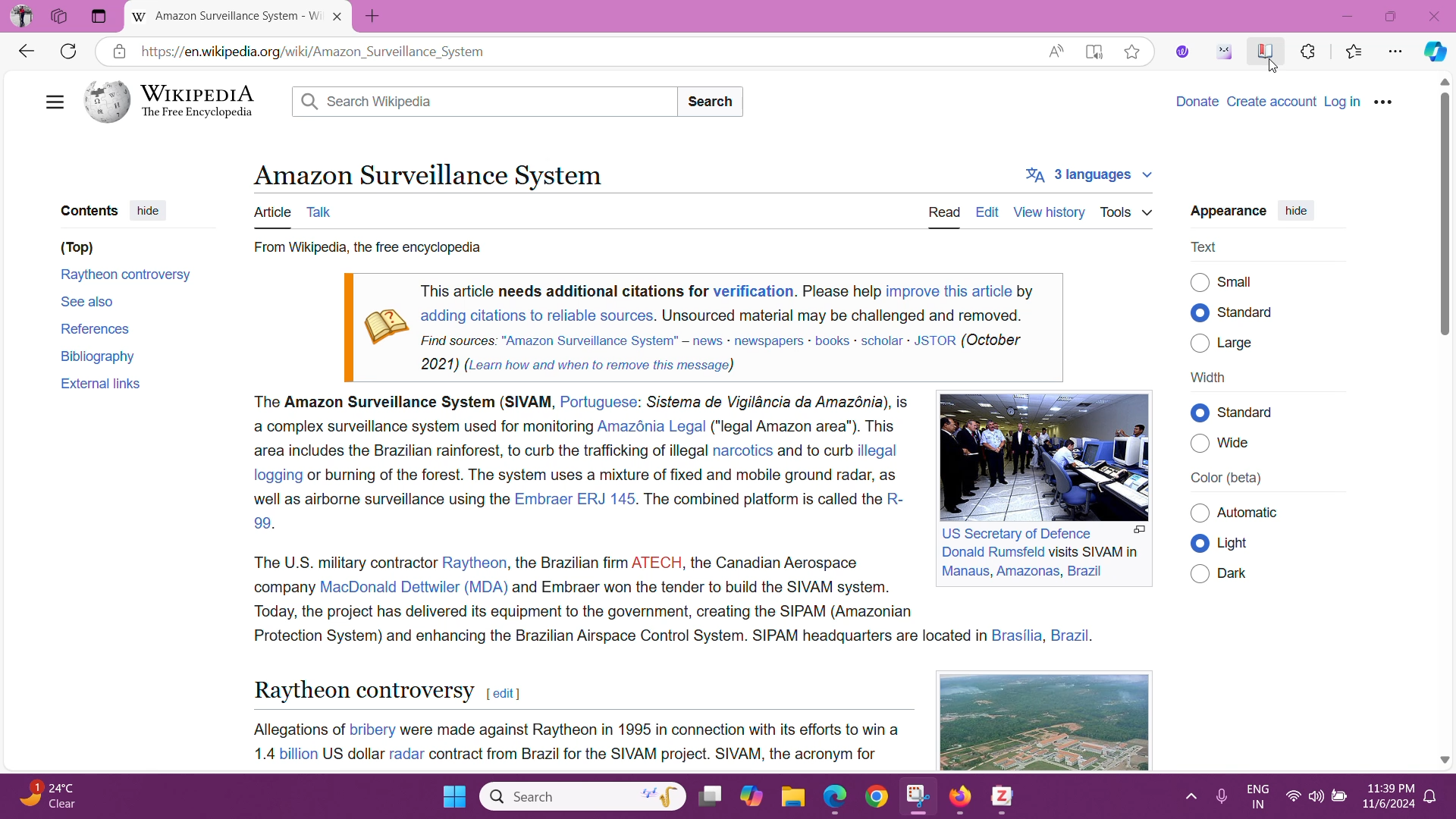 This screenshot has height=819, width=1456. Describe the element at coordinates (880, 450) in the screenshot. I see `illegal` at that location.